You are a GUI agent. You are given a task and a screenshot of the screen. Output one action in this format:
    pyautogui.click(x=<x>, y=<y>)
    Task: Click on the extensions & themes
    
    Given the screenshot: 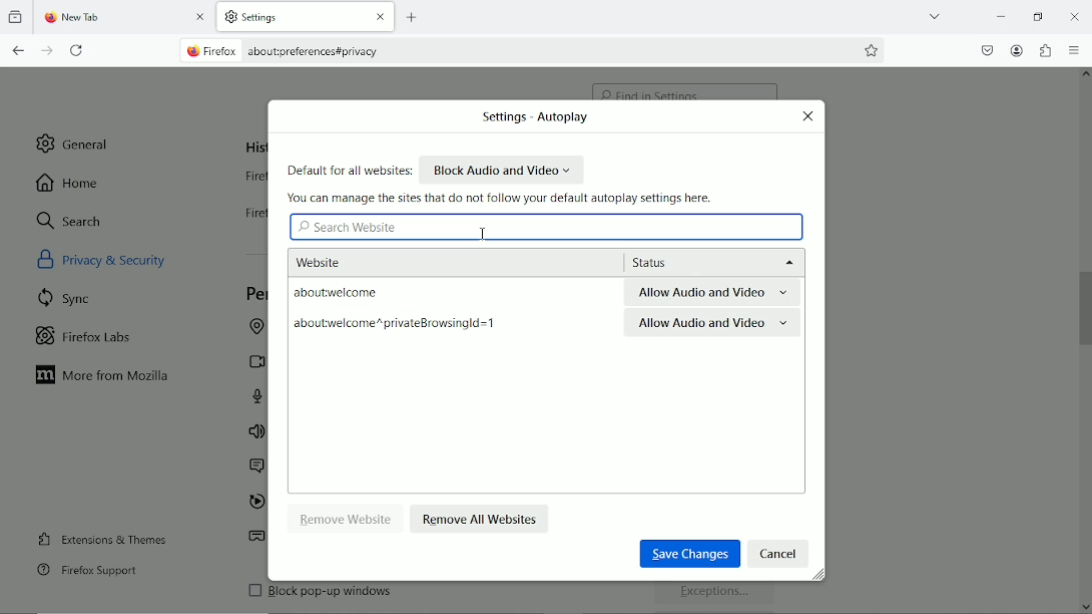 What is the action you would take?
    pyautogui.click(x=100, y=538)
    